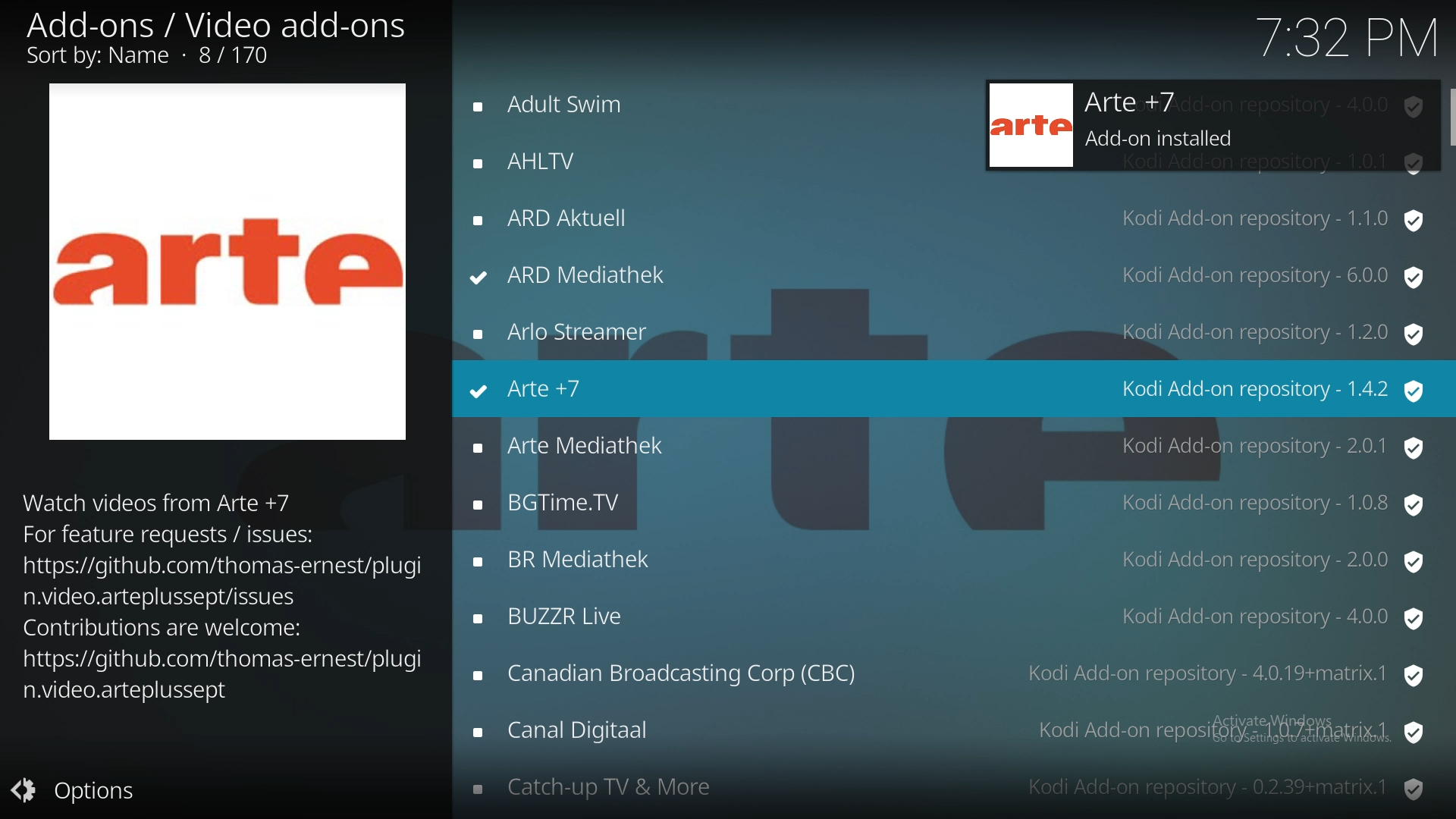  I want to click on installed add on, so click(951, 388).